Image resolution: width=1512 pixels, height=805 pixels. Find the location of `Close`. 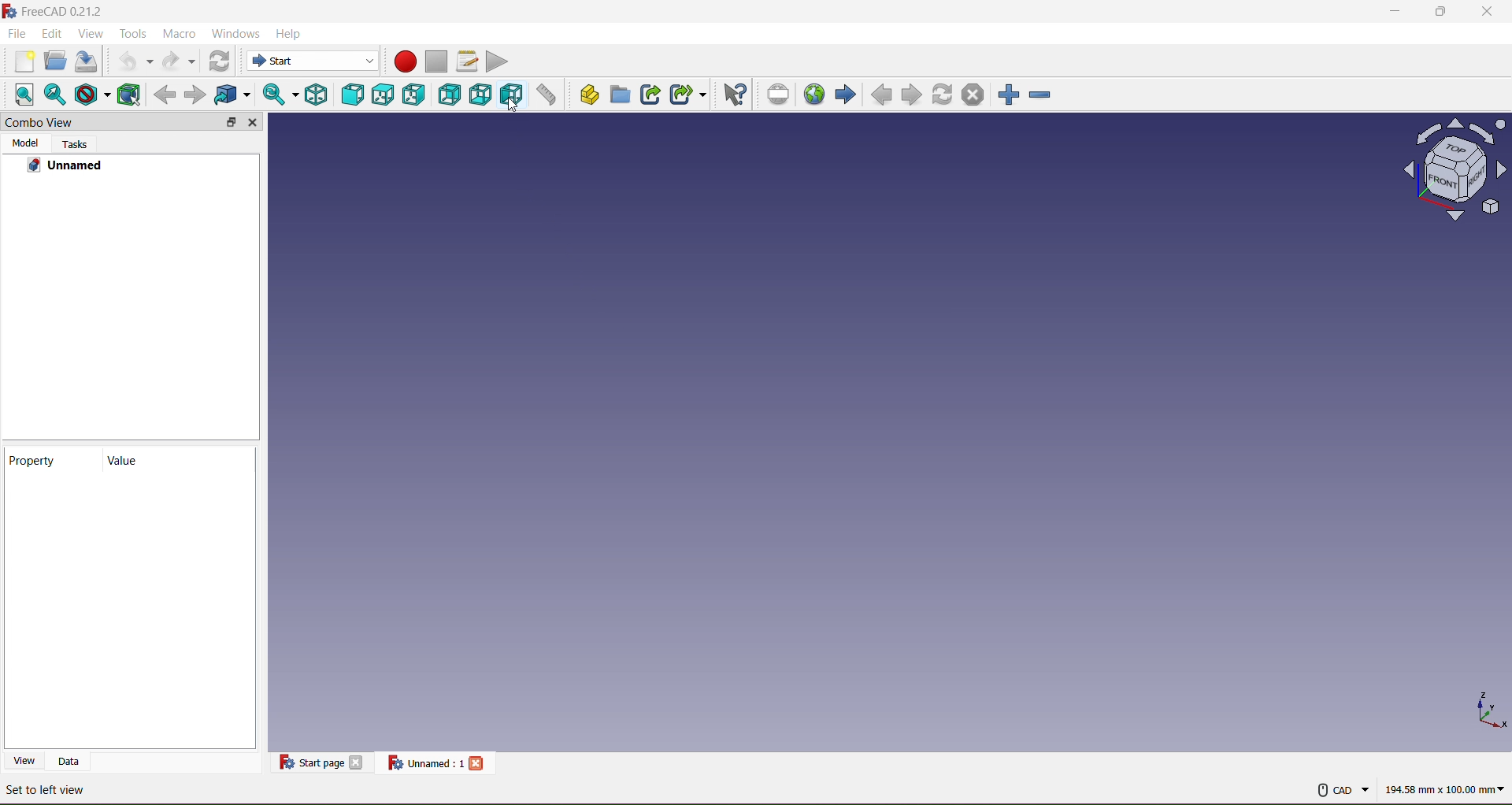

Close is located at coordinates (1487, 10).